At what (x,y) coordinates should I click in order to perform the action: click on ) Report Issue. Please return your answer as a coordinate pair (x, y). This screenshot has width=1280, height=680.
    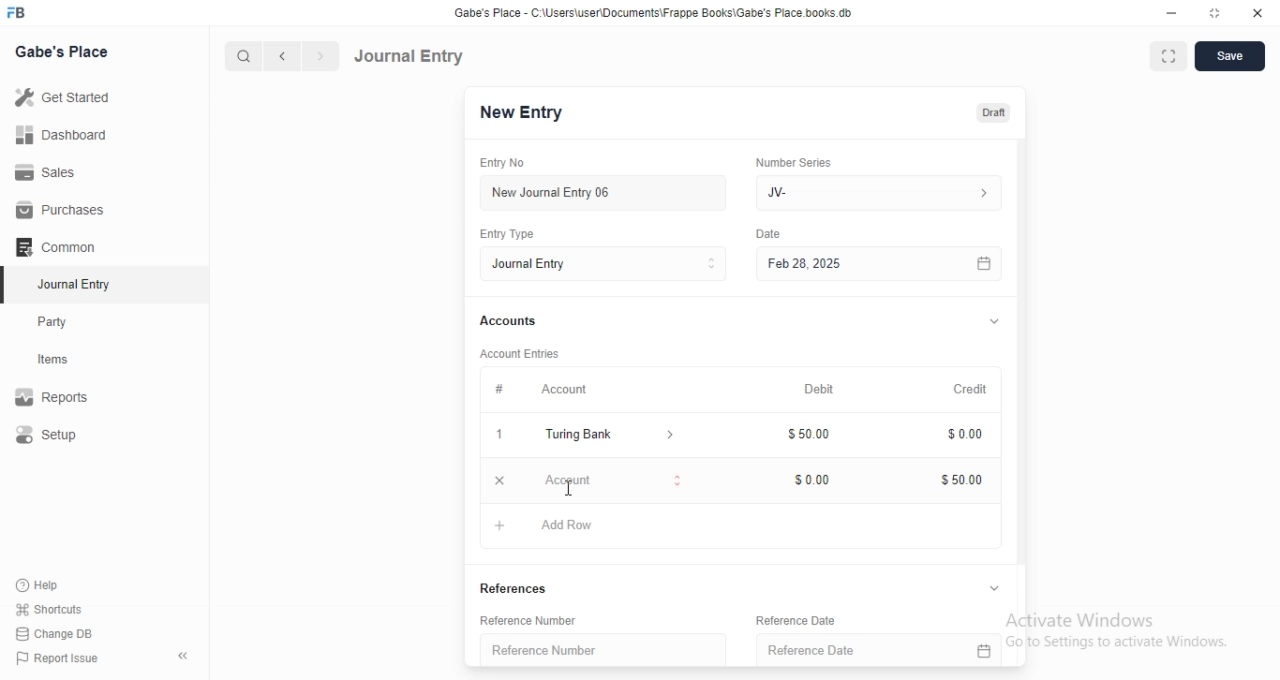
    Looking at the image, I should click on (59, 659).